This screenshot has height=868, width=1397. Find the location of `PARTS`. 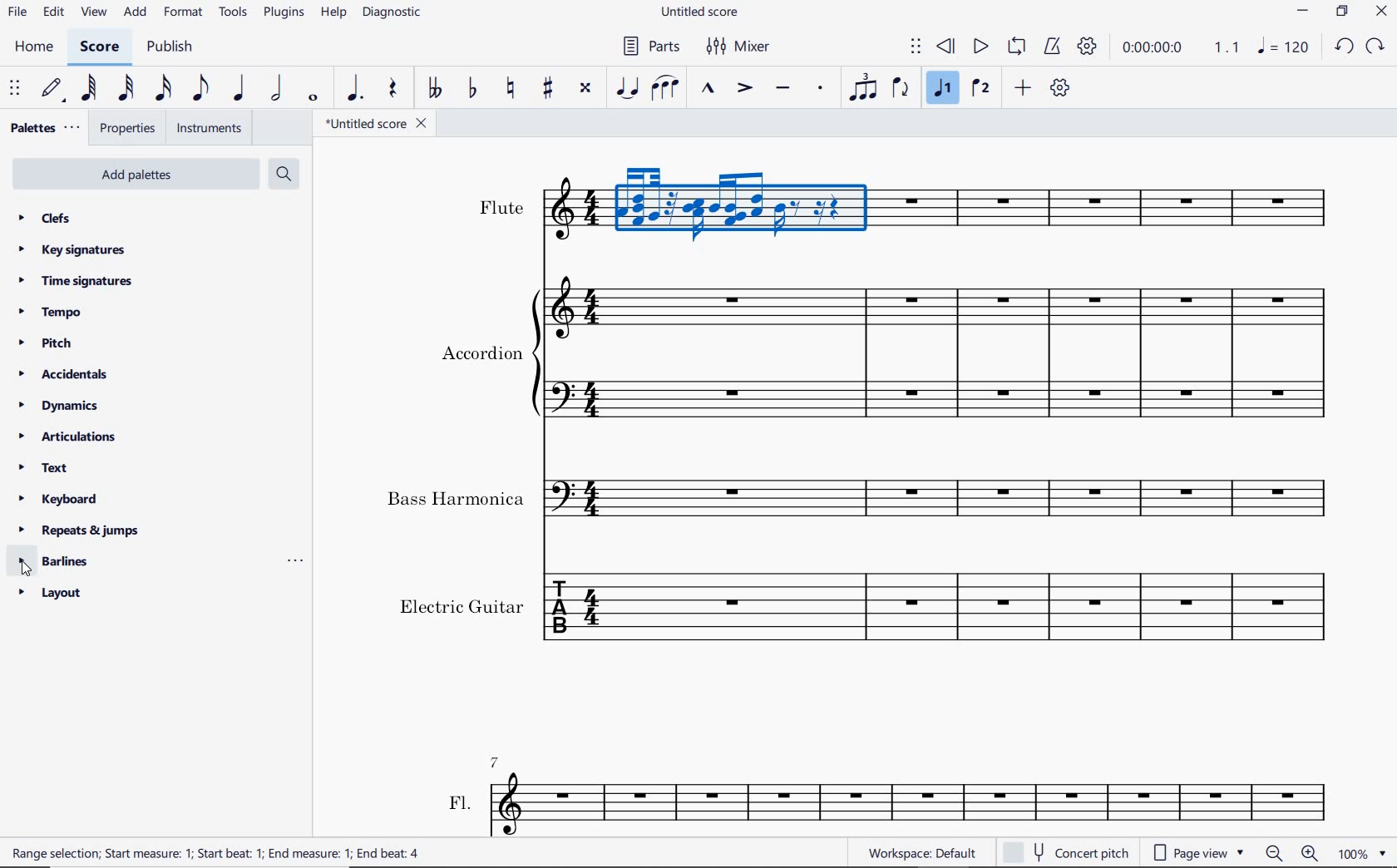

PARTS is located at coordinates (649, 49).